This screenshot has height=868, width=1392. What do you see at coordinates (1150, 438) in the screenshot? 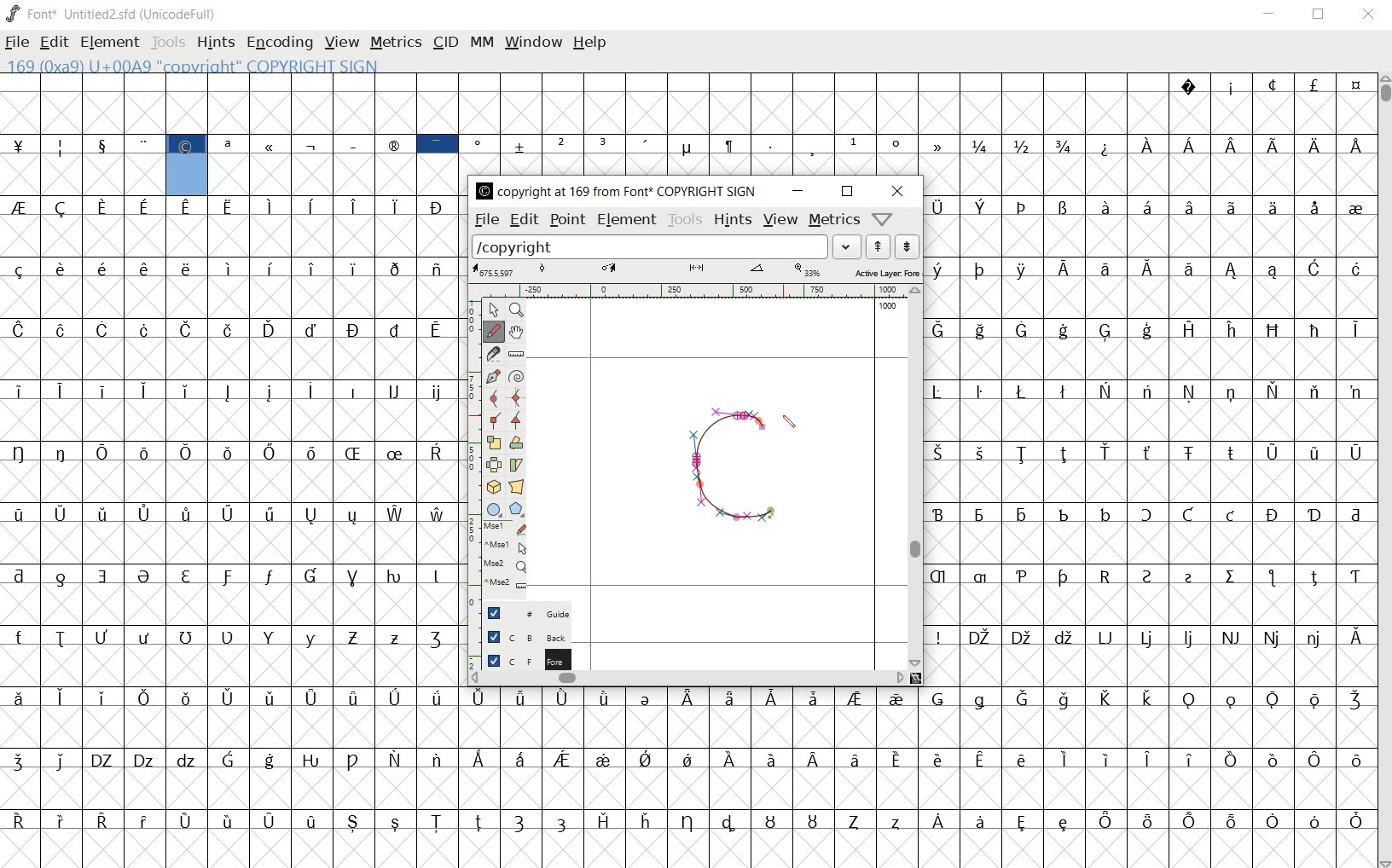
I see `glyph characters` at bounding box center [1150, 438].